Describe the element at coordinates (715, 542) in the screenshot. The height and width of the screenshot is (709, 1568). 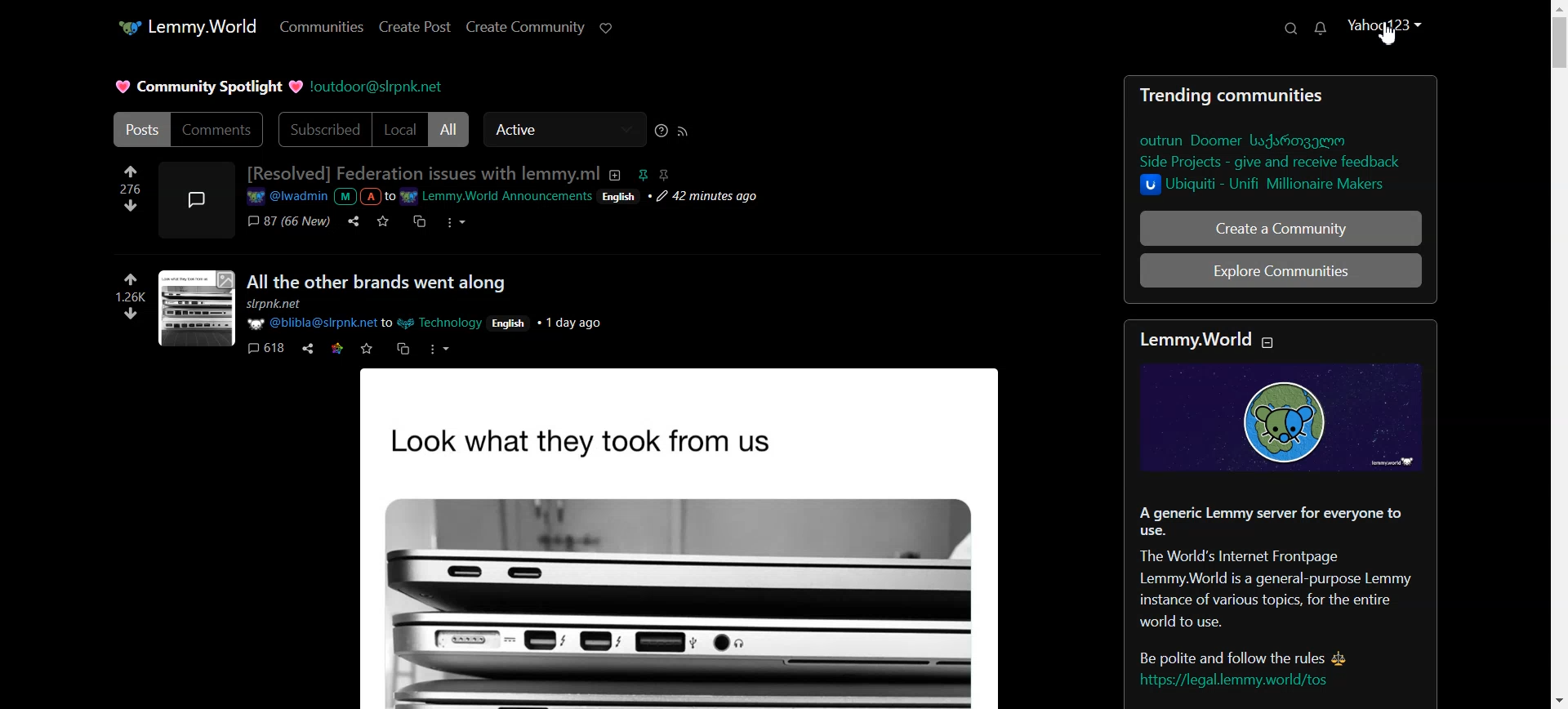
I see `Post` at that location.